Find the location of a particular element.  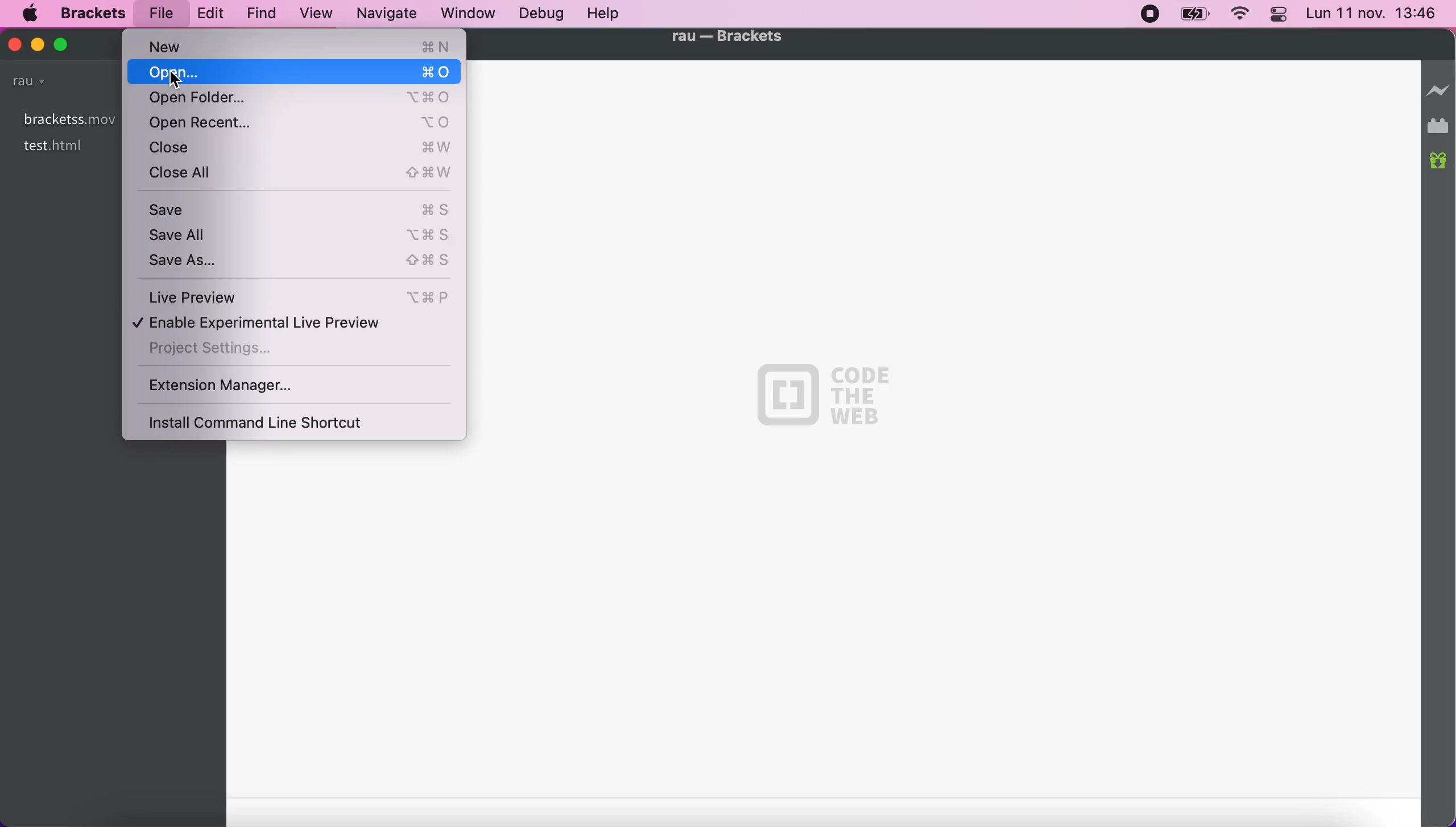

save all is located at coordinates (297, 236).